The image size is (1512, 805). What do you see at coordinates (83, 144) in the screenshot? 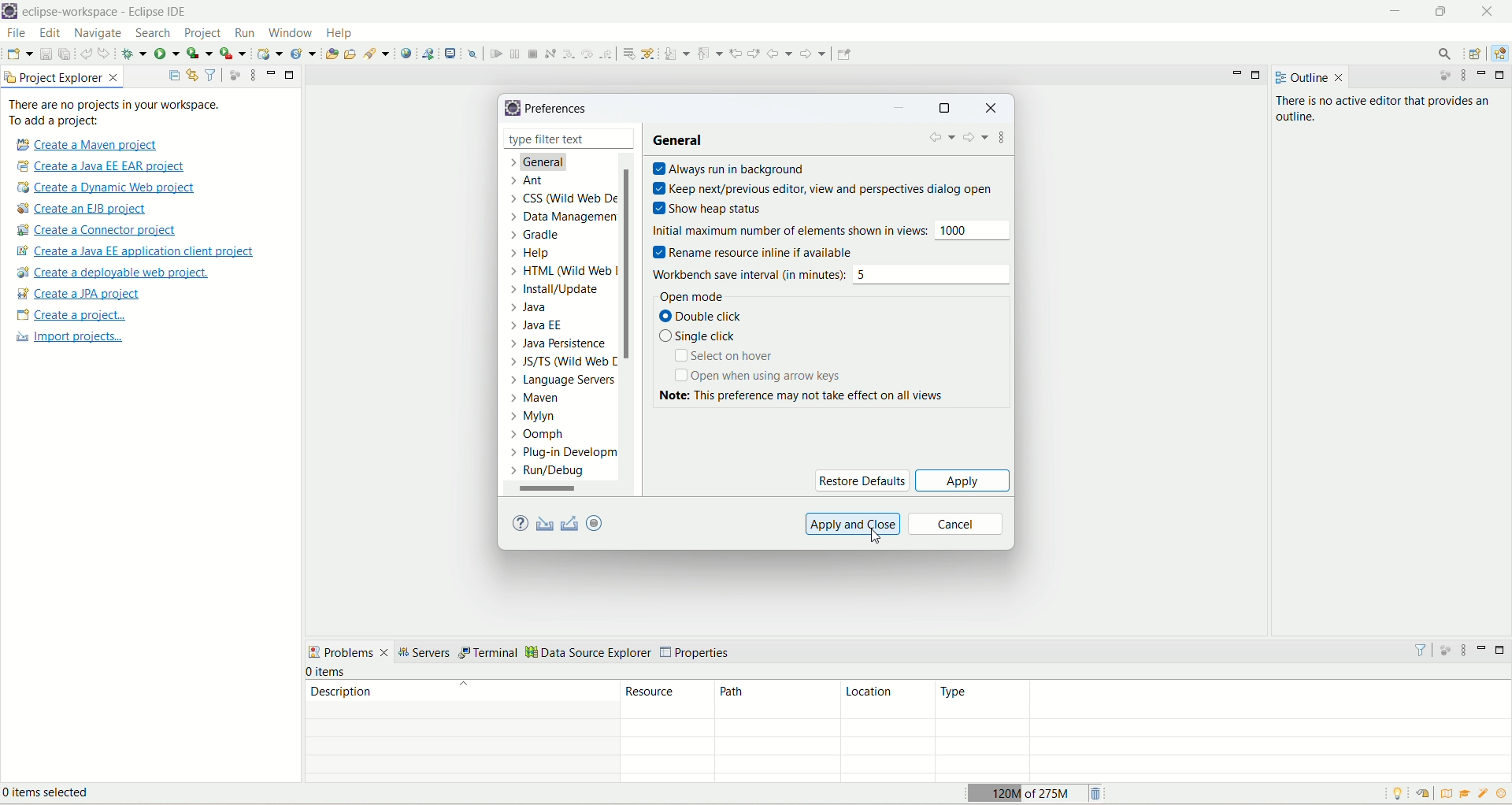
I see `create a Maven project` at bounding box center [83, 144].